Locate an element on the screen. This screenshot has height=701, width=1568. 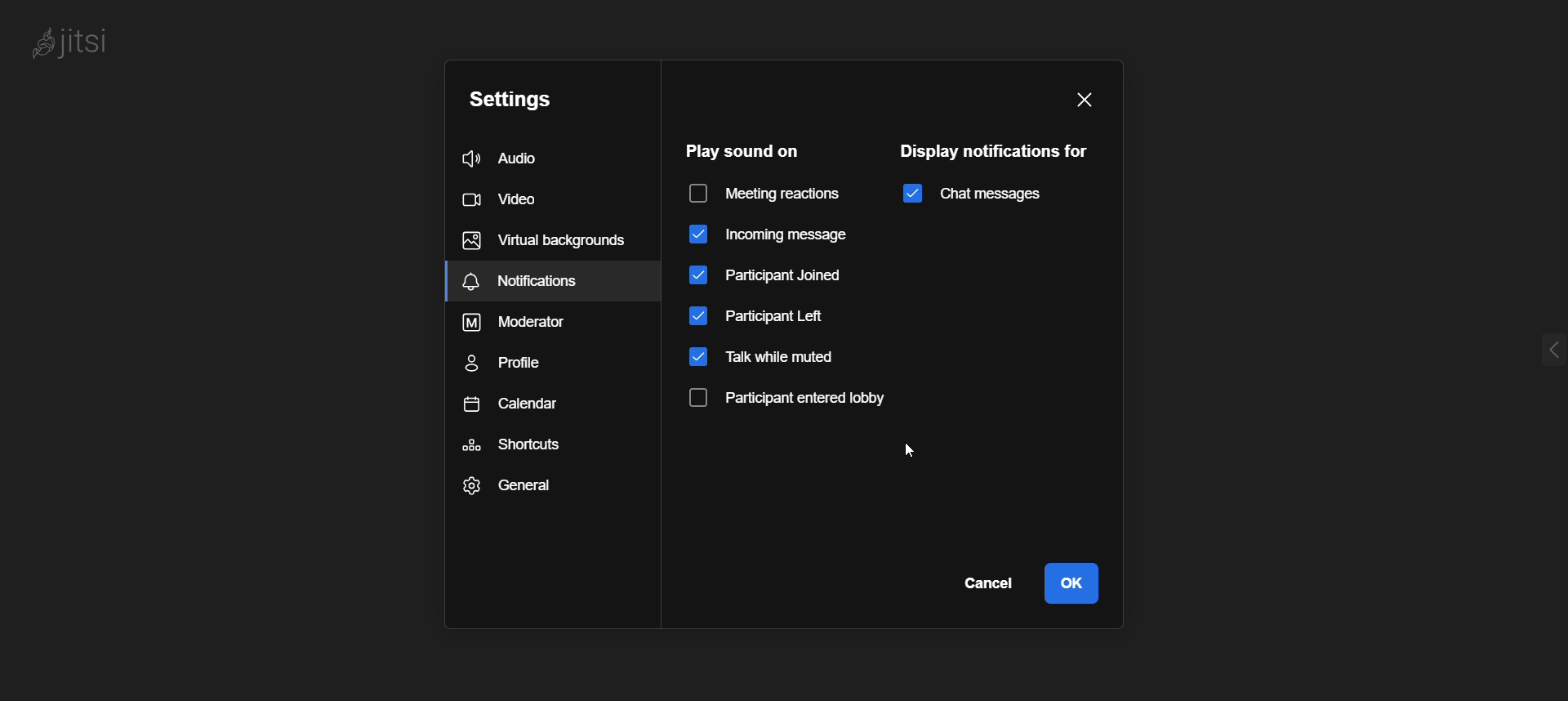
Cancel is located at coordinates (985, 581).